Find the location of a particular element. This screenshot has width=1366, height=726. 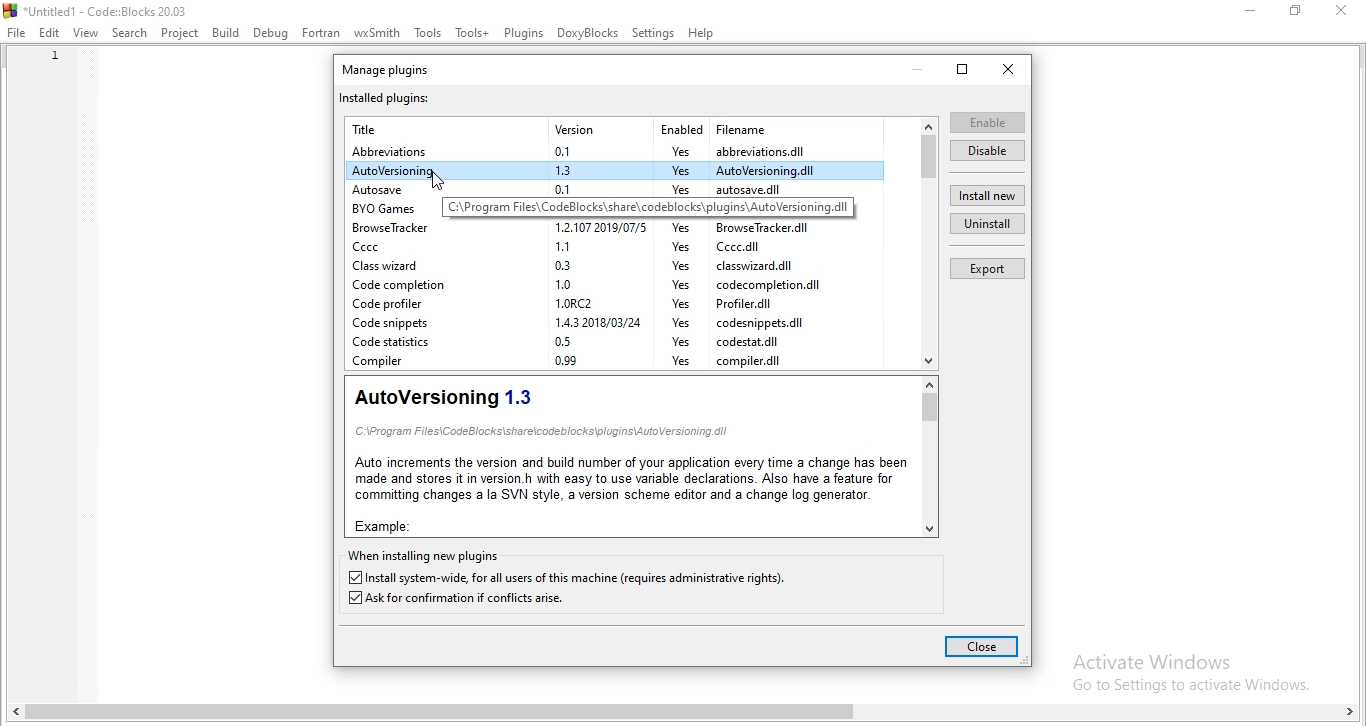

wxSmith is located at coordinates (376, 30).